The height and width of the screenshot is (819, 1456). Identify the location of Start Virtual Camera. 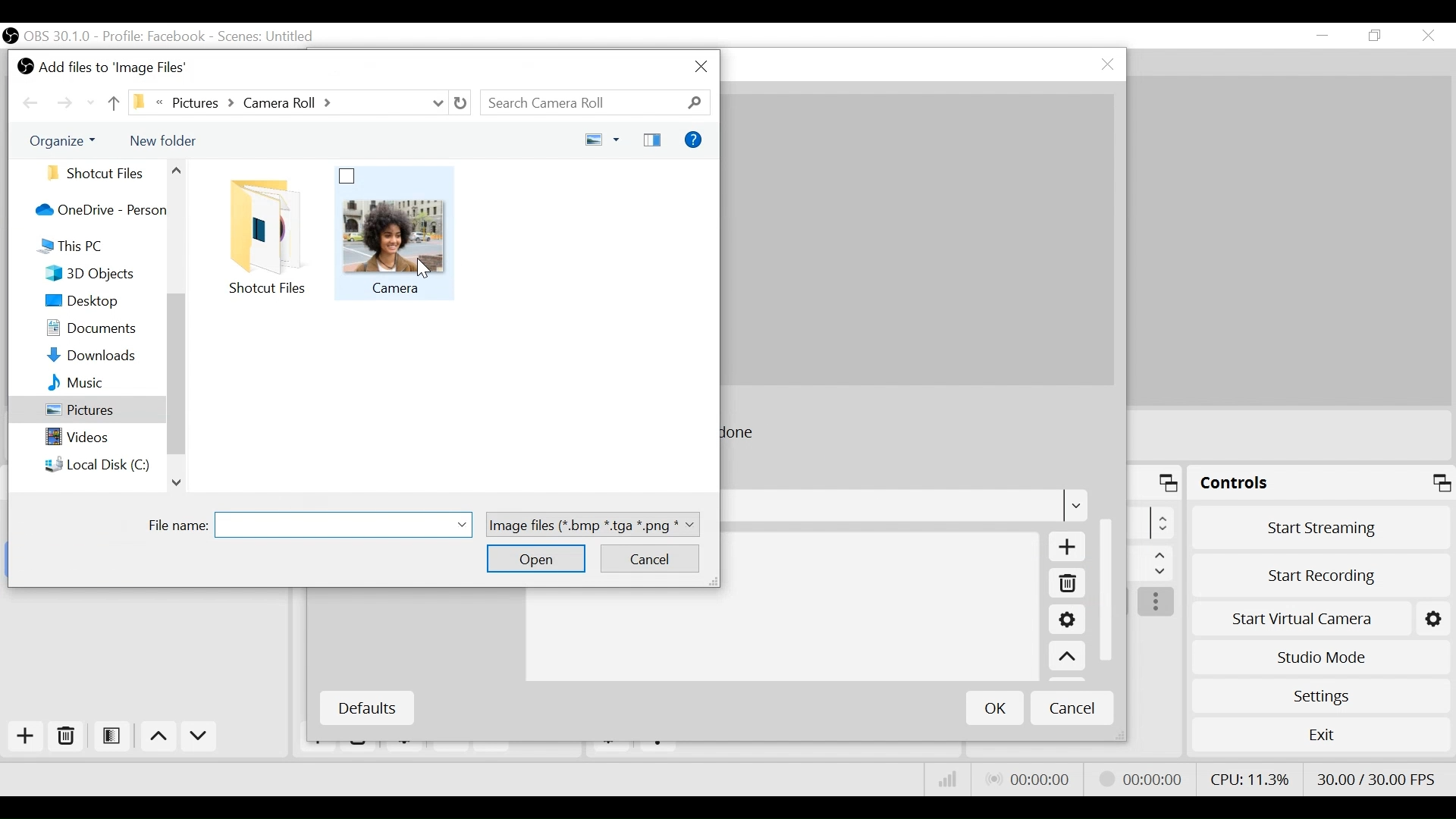
(1321, 616).